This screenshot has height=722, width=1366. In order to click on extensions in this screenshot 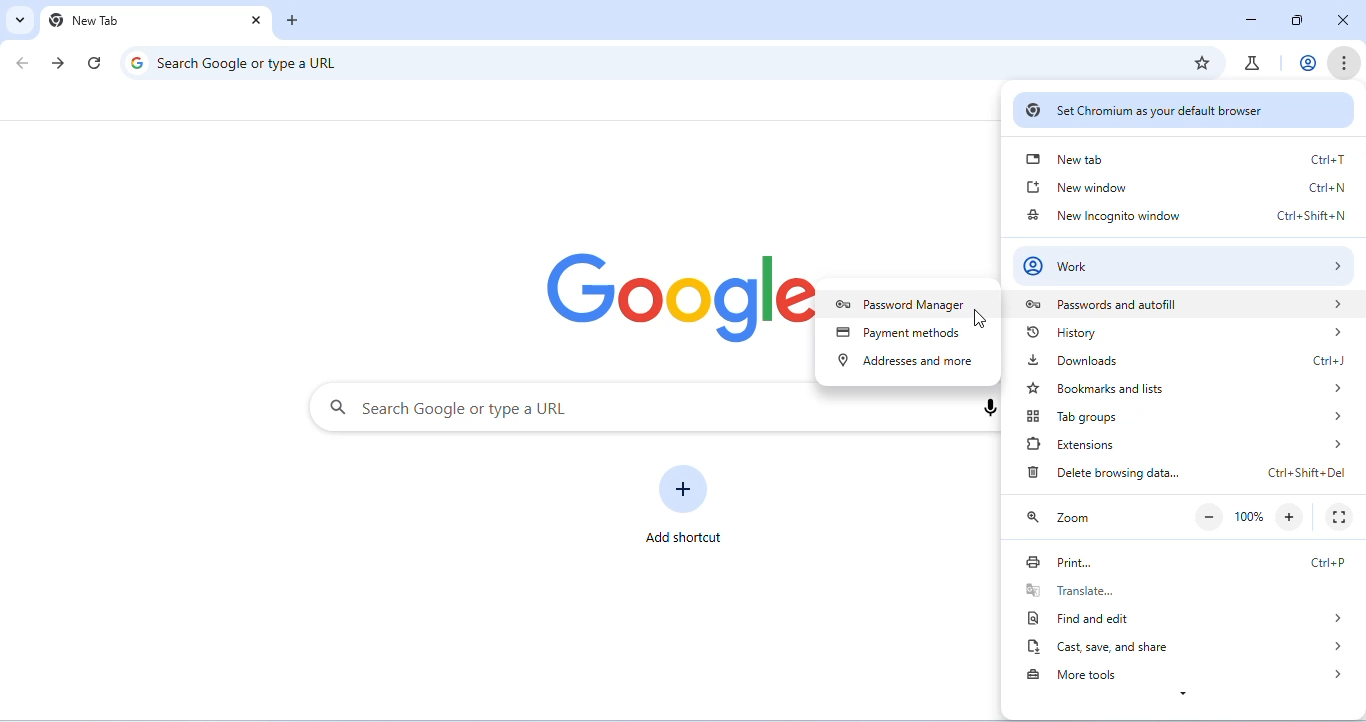, I will do `click(1182, 444)`.